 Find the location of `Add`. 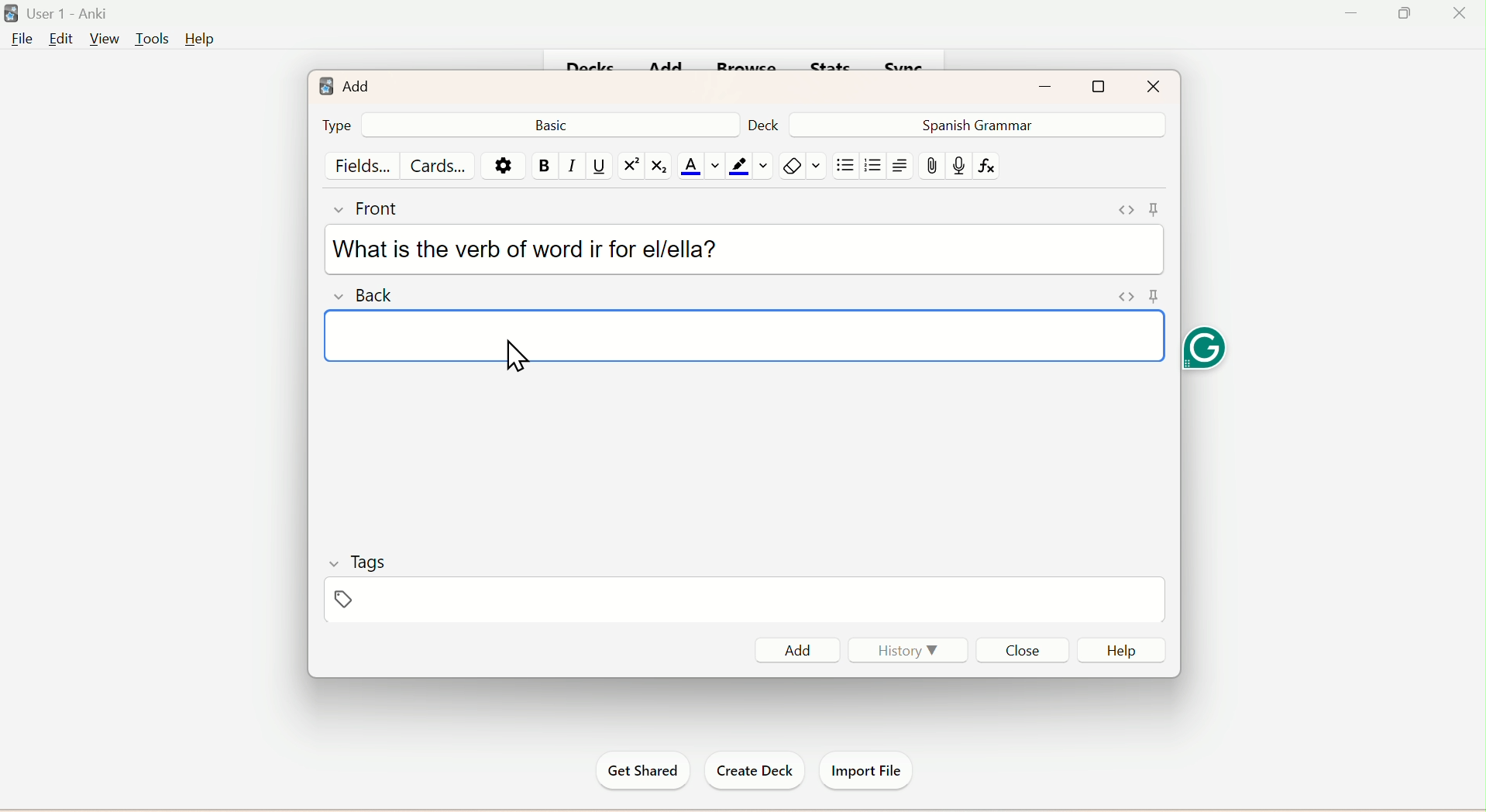

Add is located at coordinates (344, 82).